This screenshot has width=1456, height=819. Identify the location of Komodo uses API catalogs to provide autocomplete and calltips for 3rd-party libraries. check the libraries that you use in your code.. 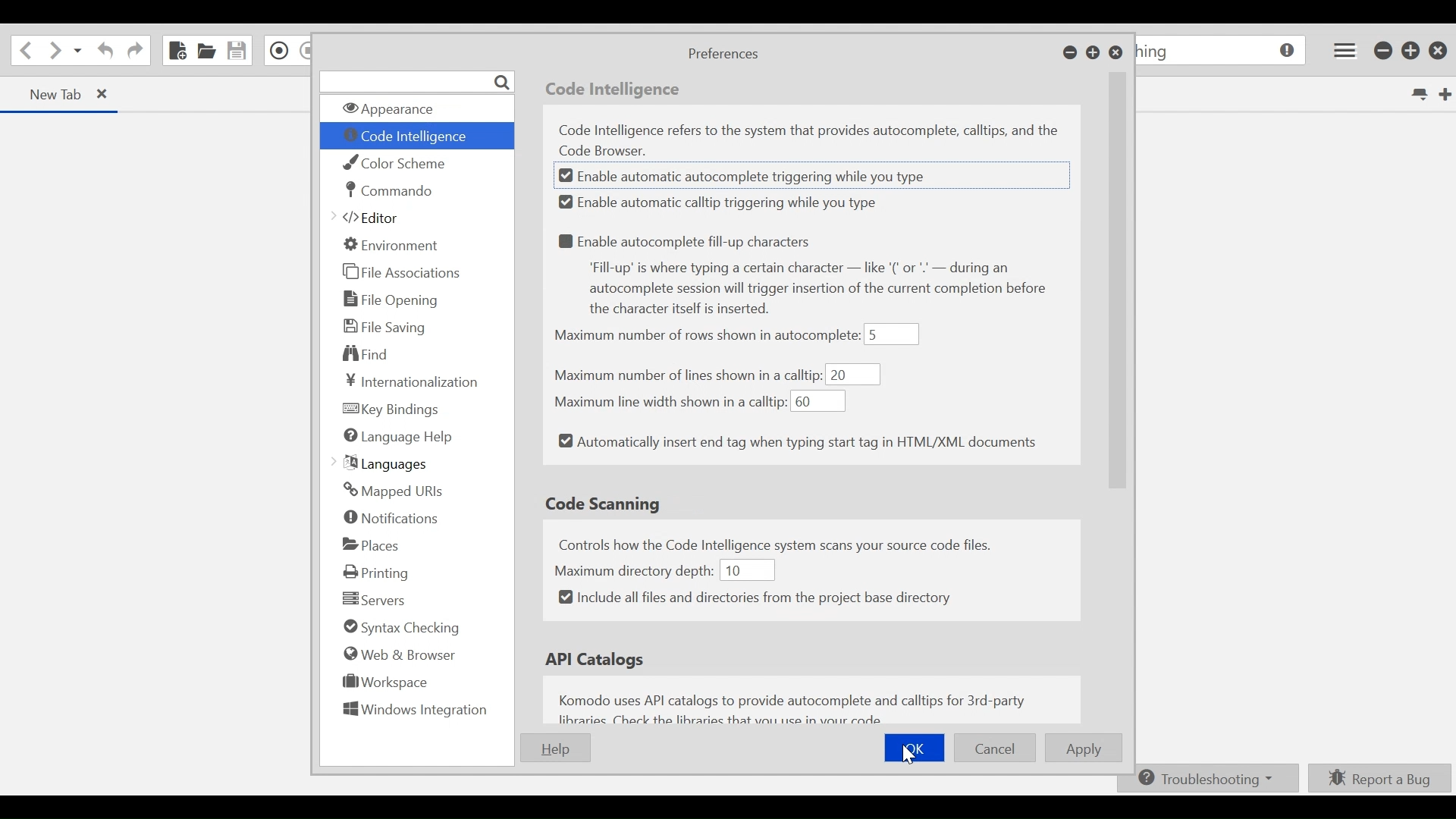
(798, 707).